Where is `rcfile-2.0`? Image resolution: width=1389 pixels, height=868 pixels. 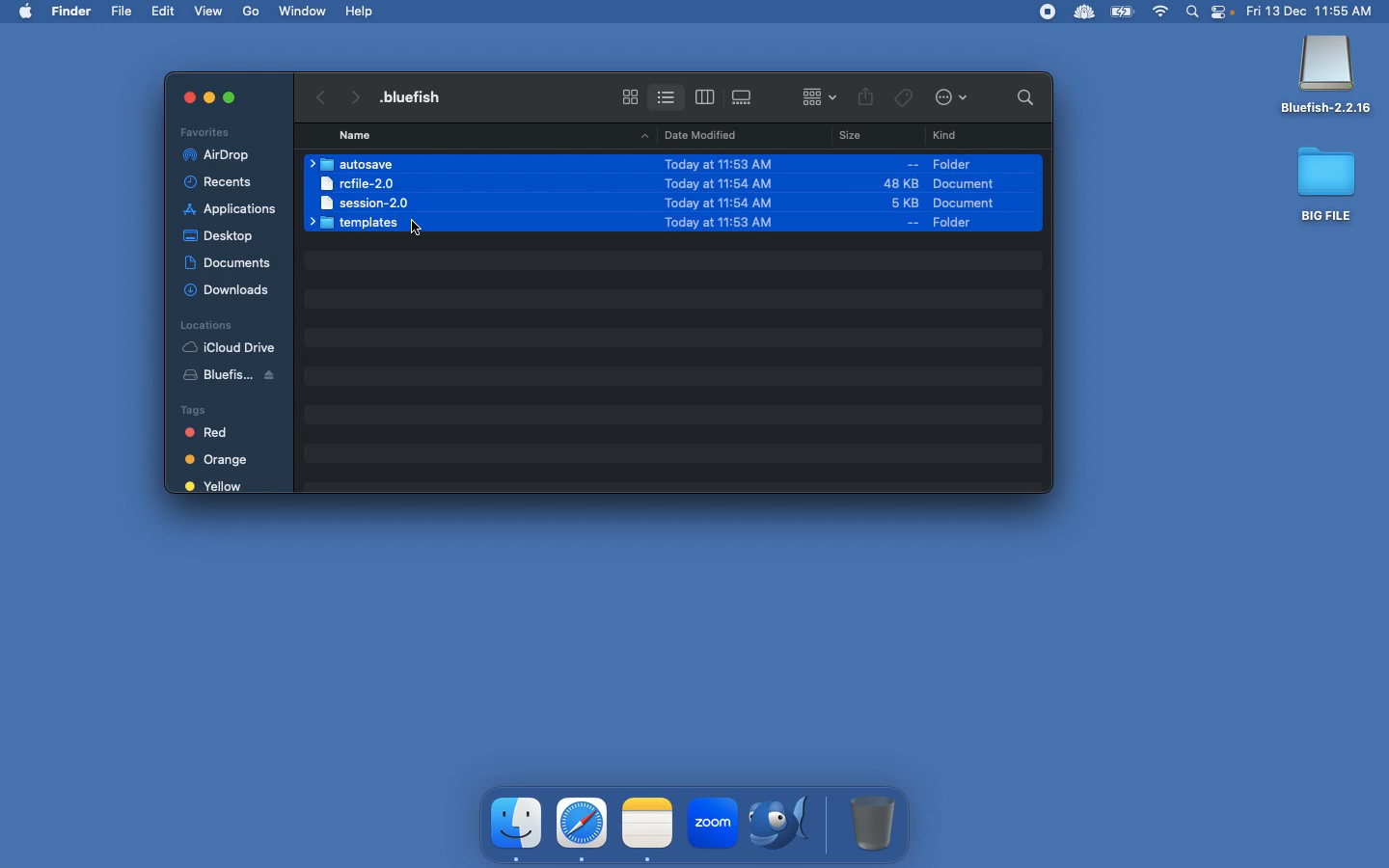 rcfile-2.0 is located at coordinates (360, 182).